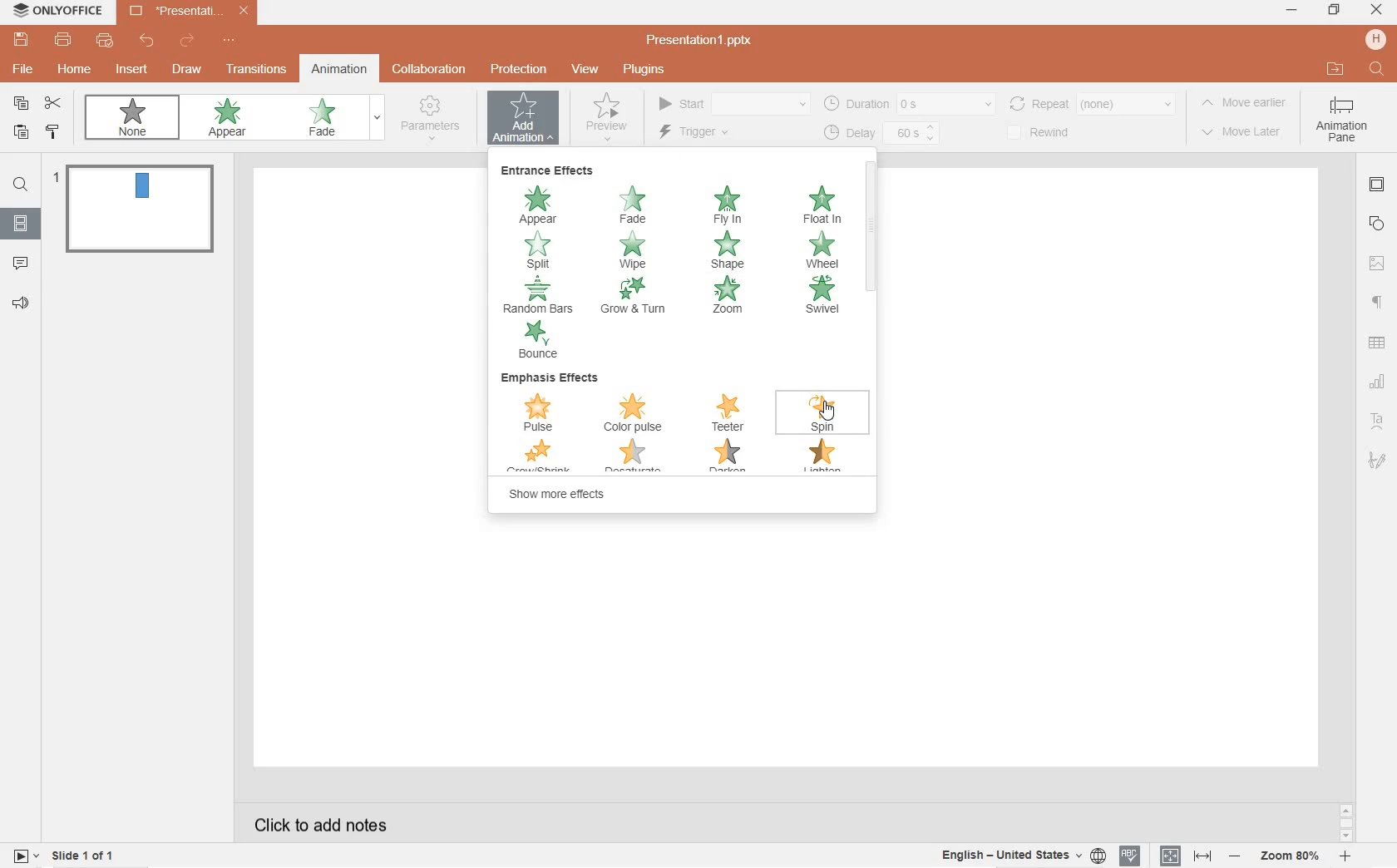 This screenshot has width=1397, height=868. What do you see at coordinates (138, 207) in the screenshot?
I see `slide 1` at bounding box center [138, 207].